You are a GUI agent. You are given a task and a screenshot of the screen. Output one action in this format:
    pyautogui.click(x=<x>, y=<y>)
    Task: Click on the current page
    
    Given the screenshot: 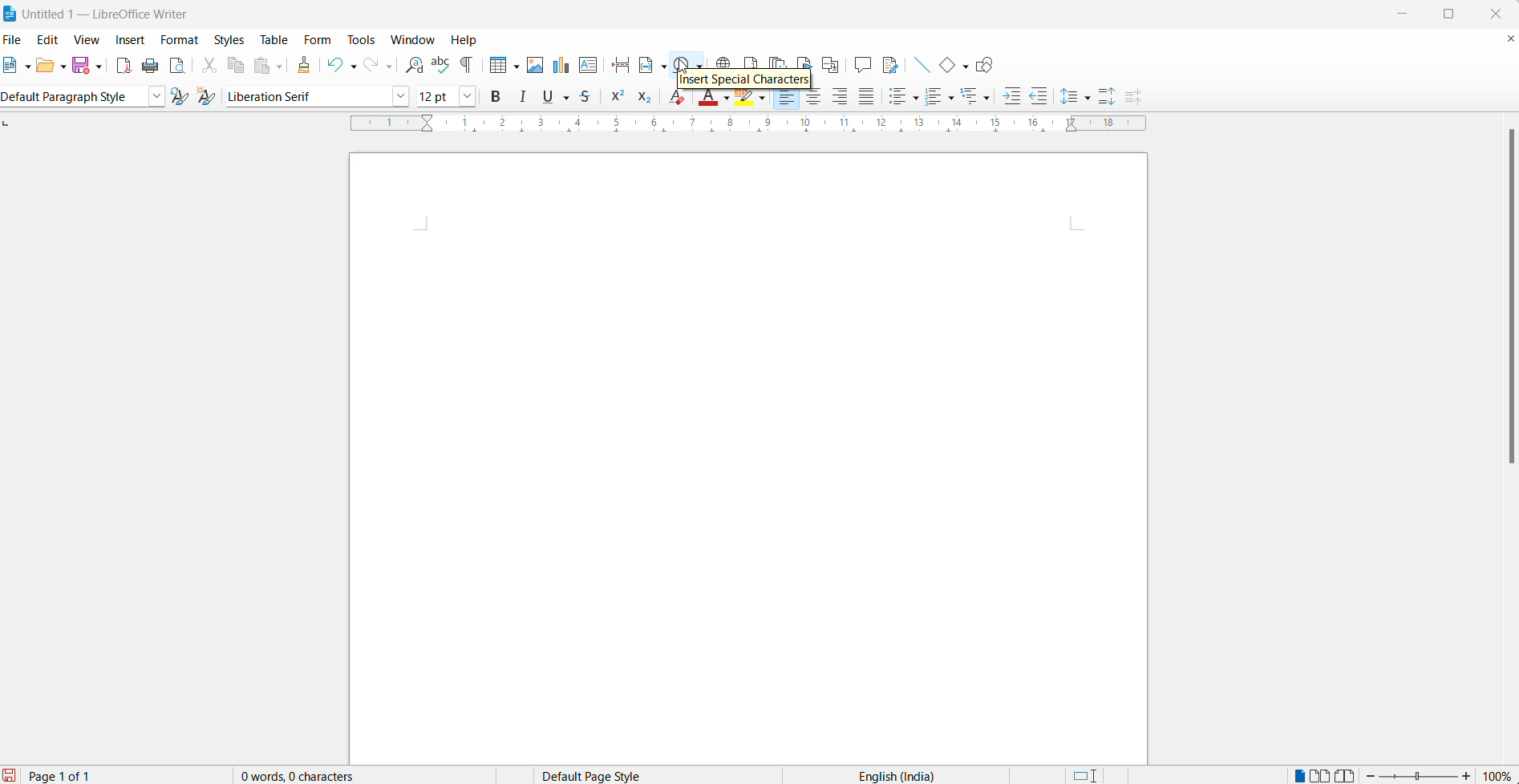 What is the action you would take?
    pyautogui.click(x=56, y=774)
    